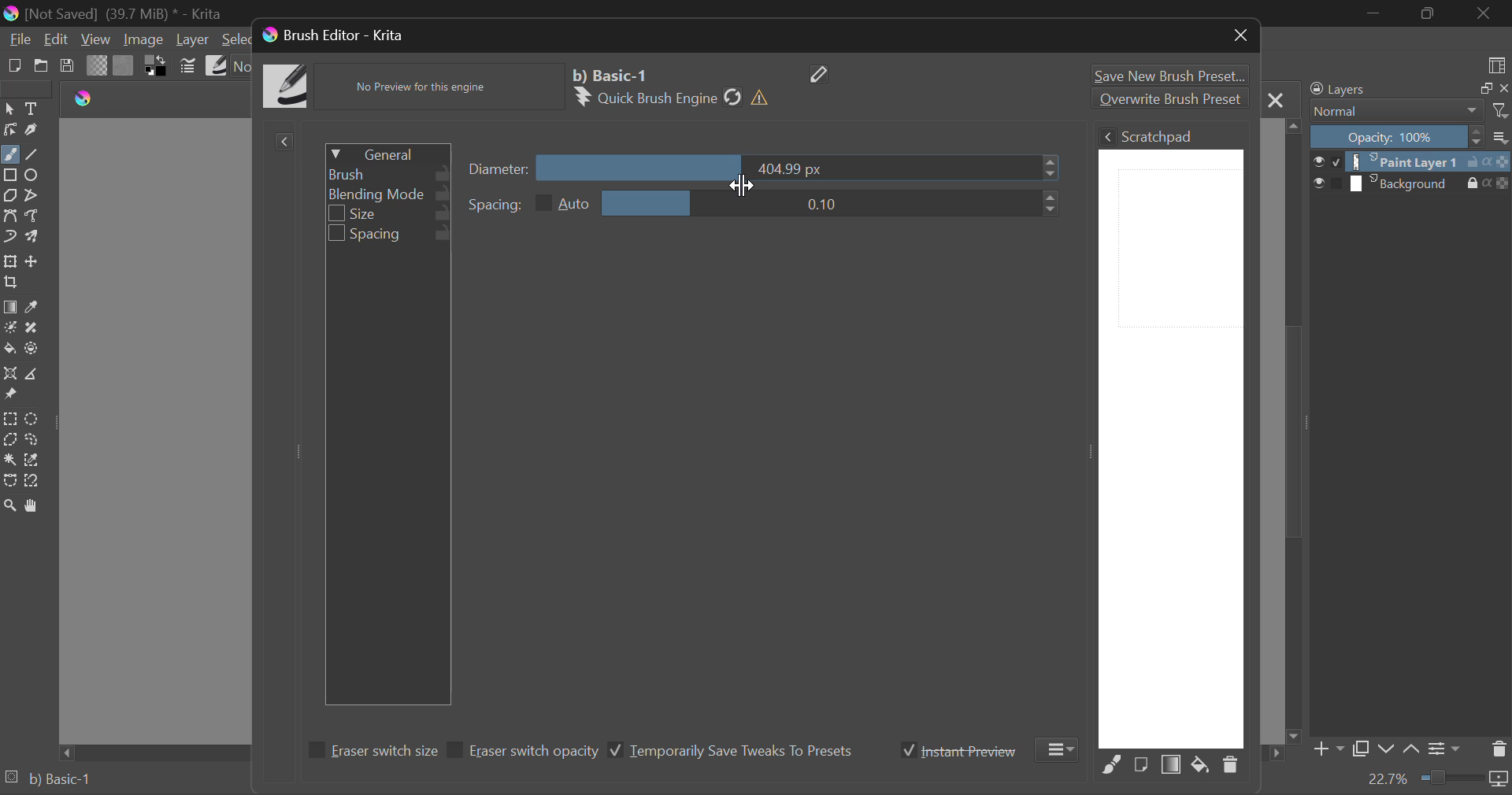 This screenshot has width=1512, height=795. What do you see at coordinates (217, 66) in the screenshot?
I see `Brush Presets` at bounding box center [217, 66].